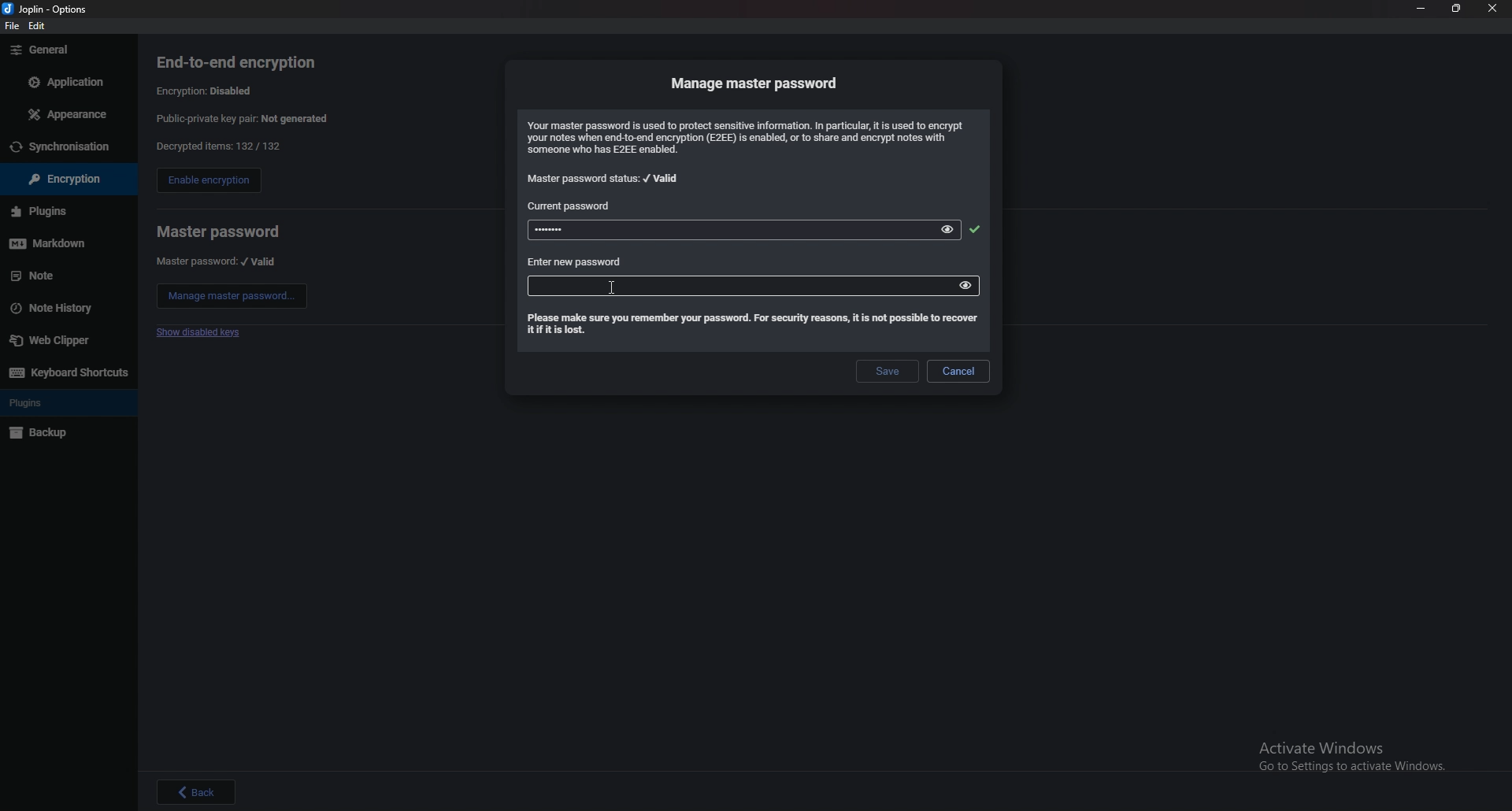  Describe the element at coordinates (208, 182) in the screenshot. I see `enable encryption` at that location.